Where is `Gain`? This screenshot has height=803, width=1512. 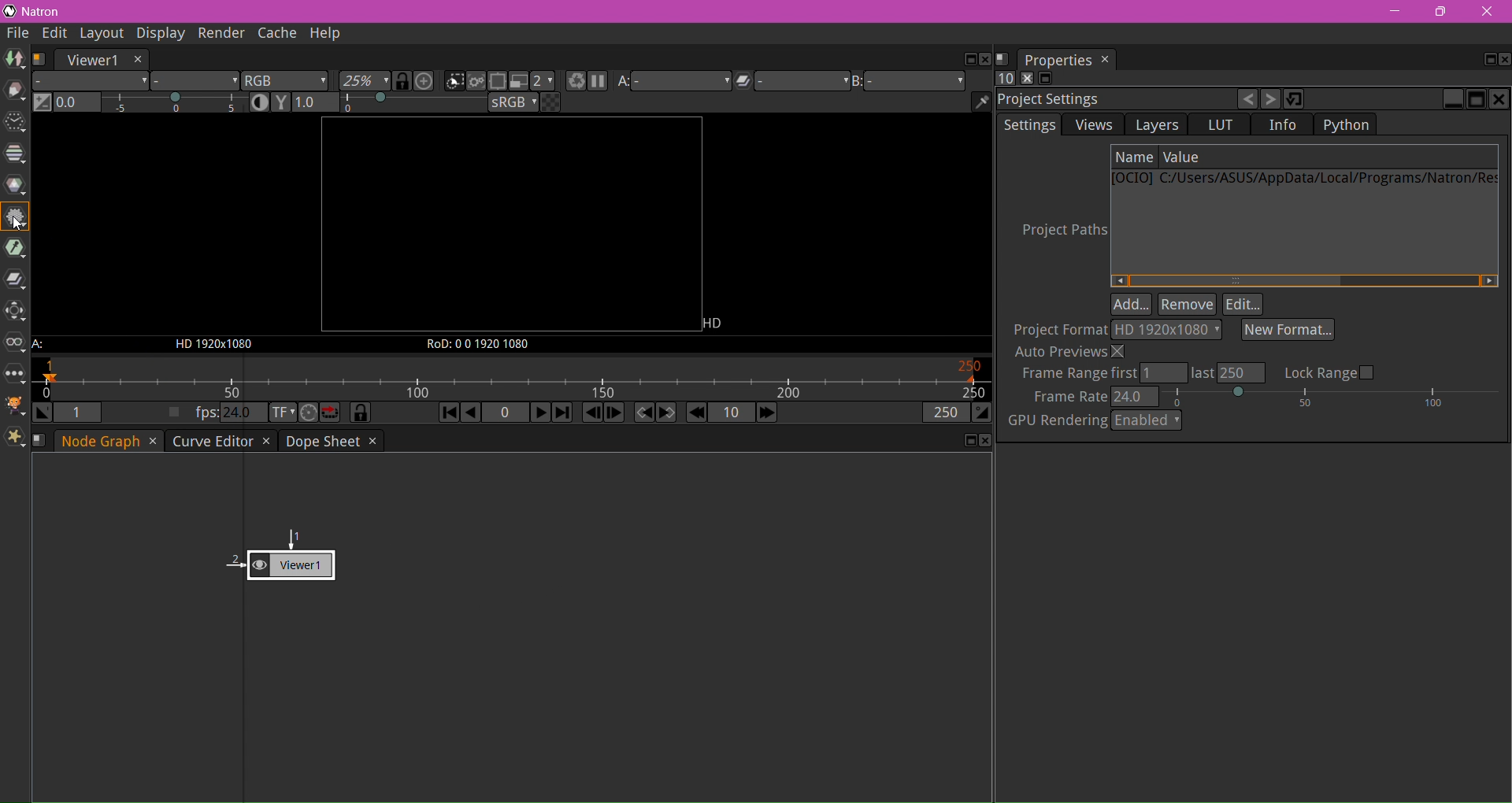 Gain is located at coordinates (152, 104).